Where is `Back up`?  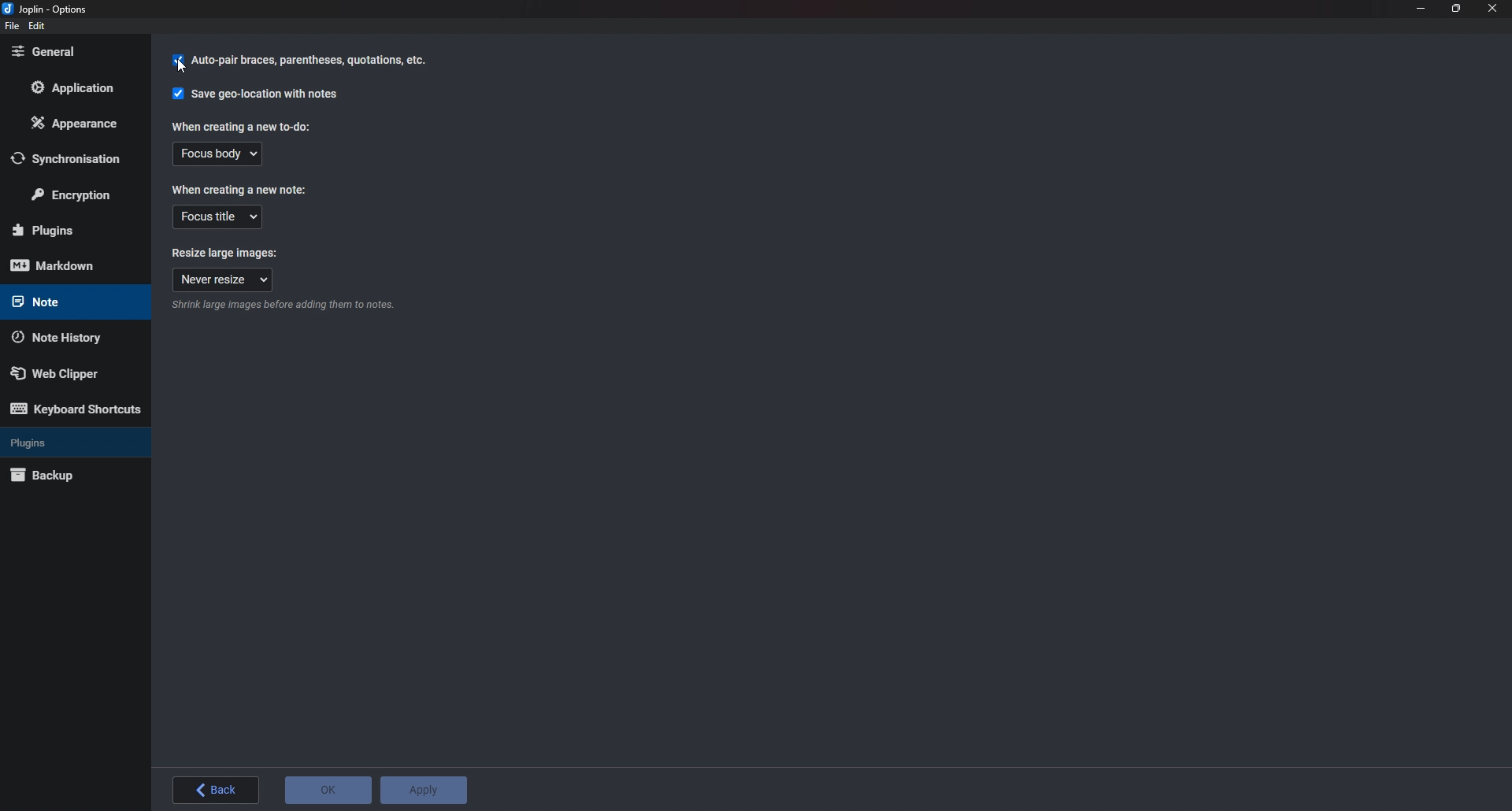
Back up is located at coordinates (72, 476).